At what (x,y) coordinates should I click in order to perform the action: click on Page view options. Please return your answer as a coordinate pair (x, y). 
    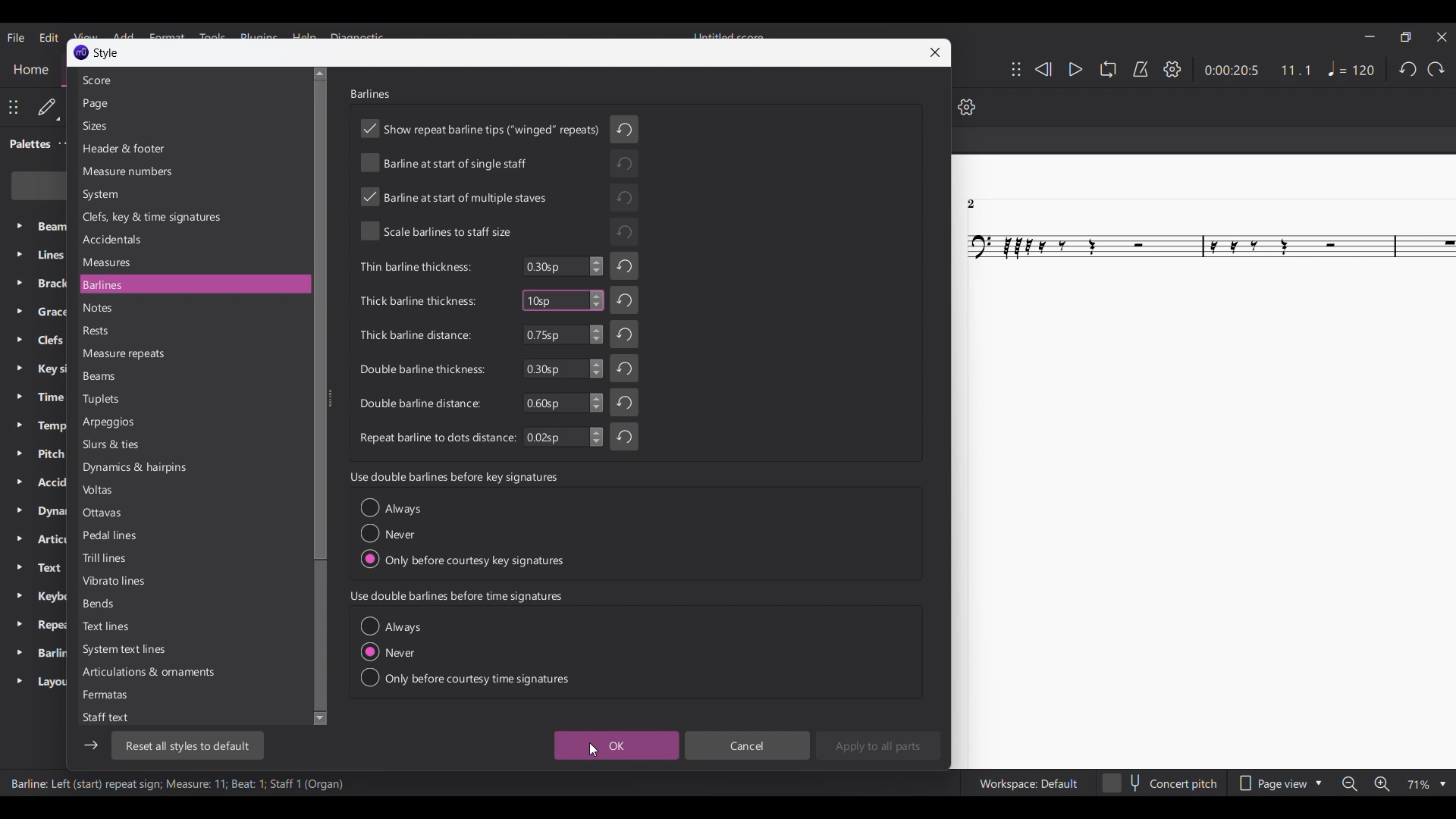
    Looking at the image, I should click on (1280, 784).